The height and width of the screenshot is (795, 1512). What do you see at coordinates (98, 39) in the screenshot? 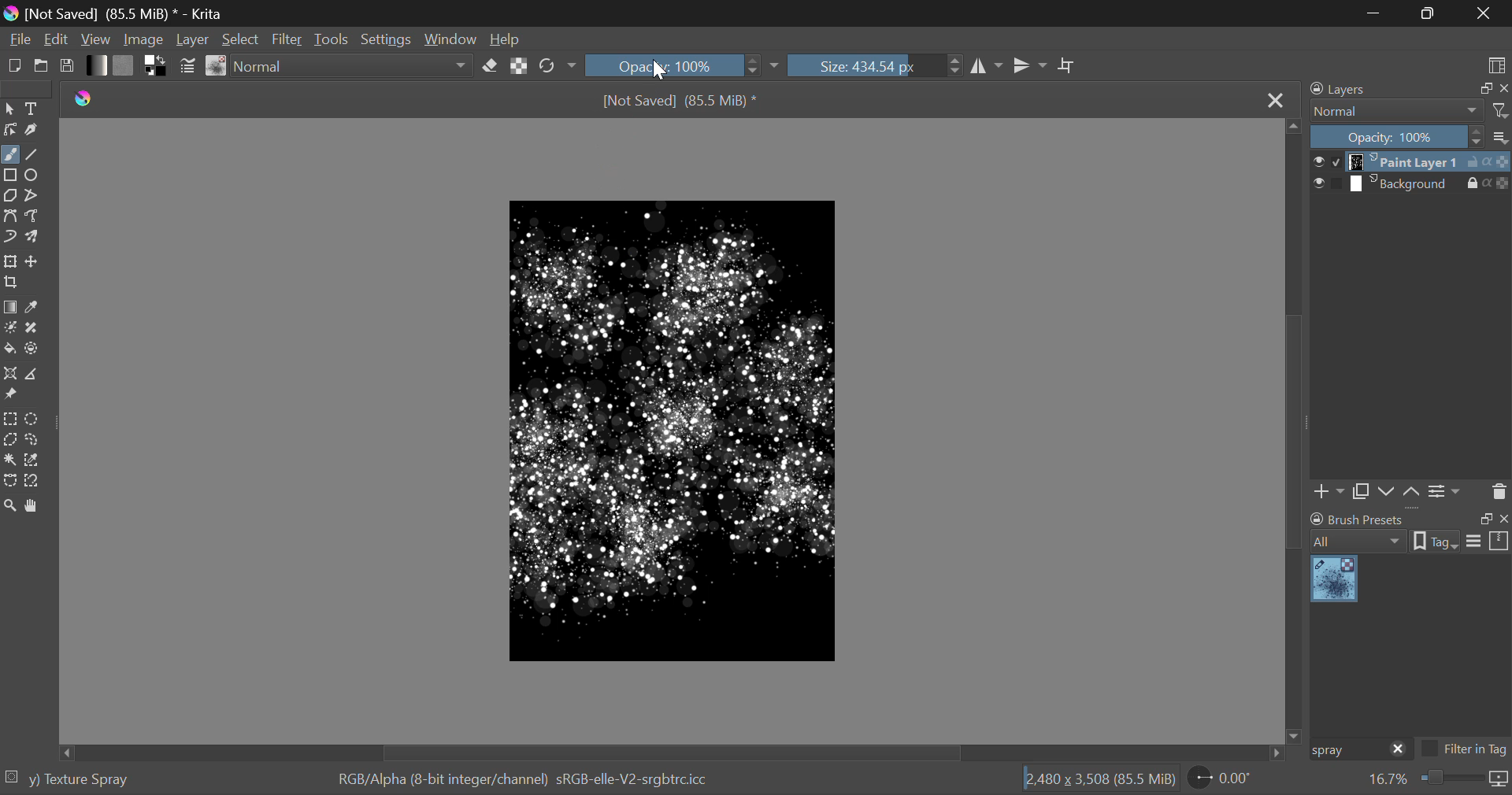
I see `View` at bounding box center [98, 39].